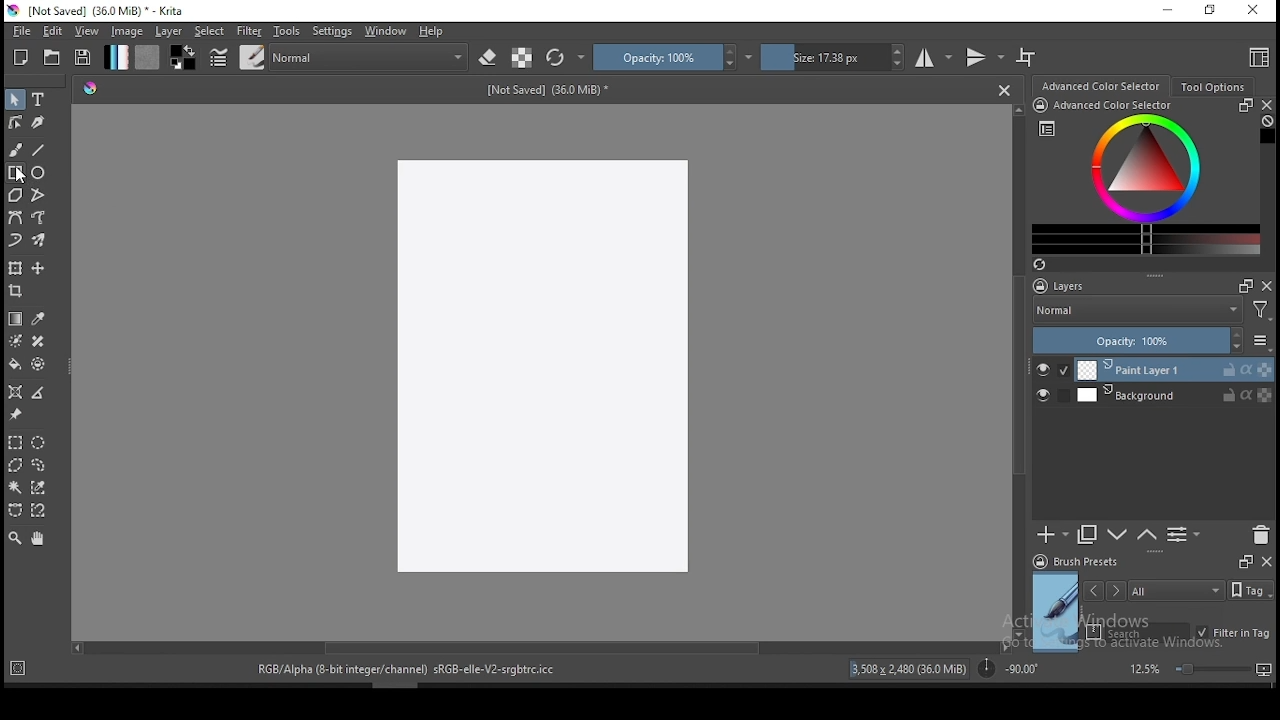 The width and height of the screenshot is (1280, 720). What do you see at coordinates (15, 392) in the screenshot?
I see `assistant tool` at bounding box center [15, 392].